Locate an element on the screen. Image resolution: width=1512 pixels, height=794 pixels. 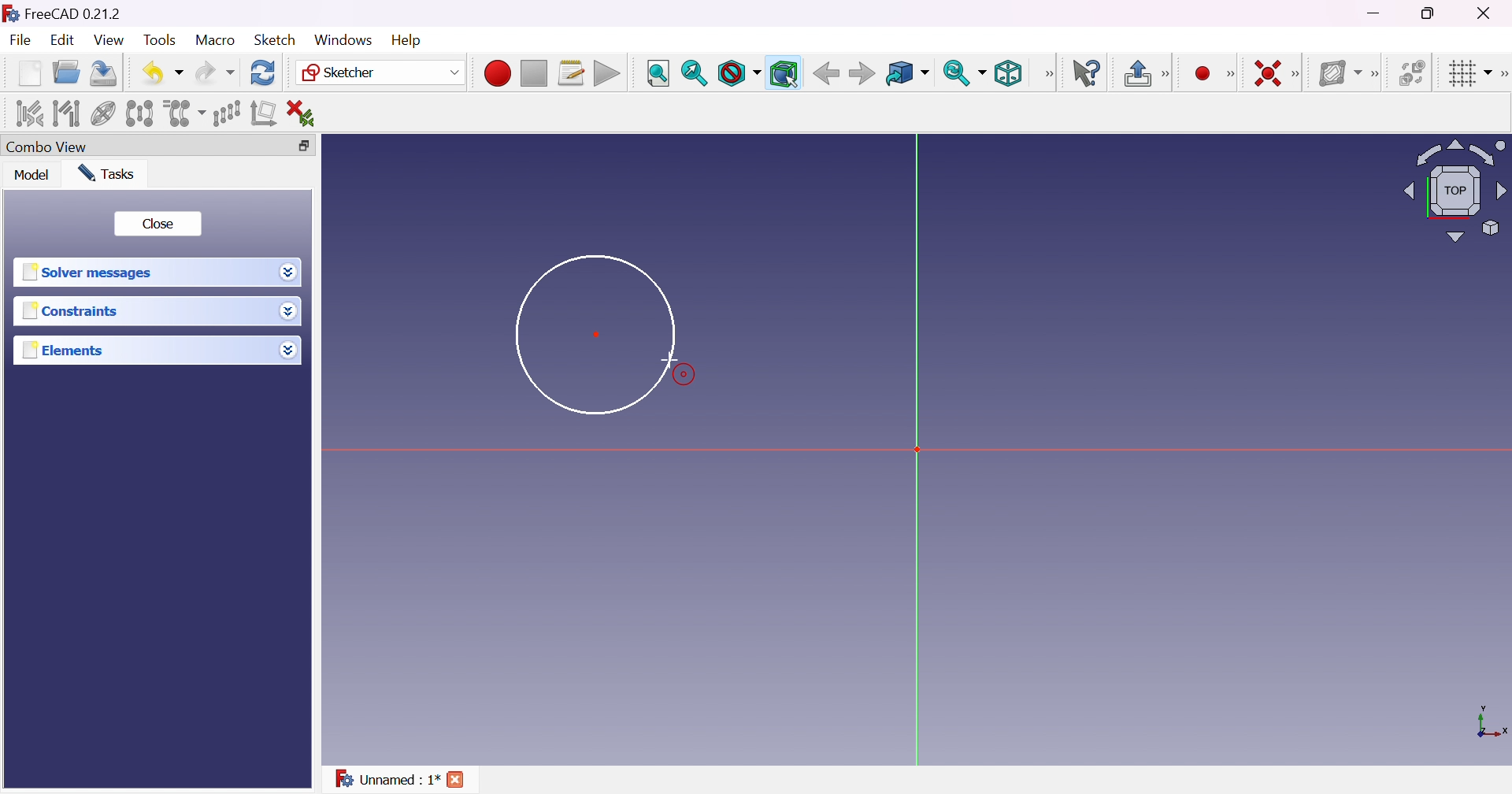
x, y axis is located at coordinates (1490, 724).